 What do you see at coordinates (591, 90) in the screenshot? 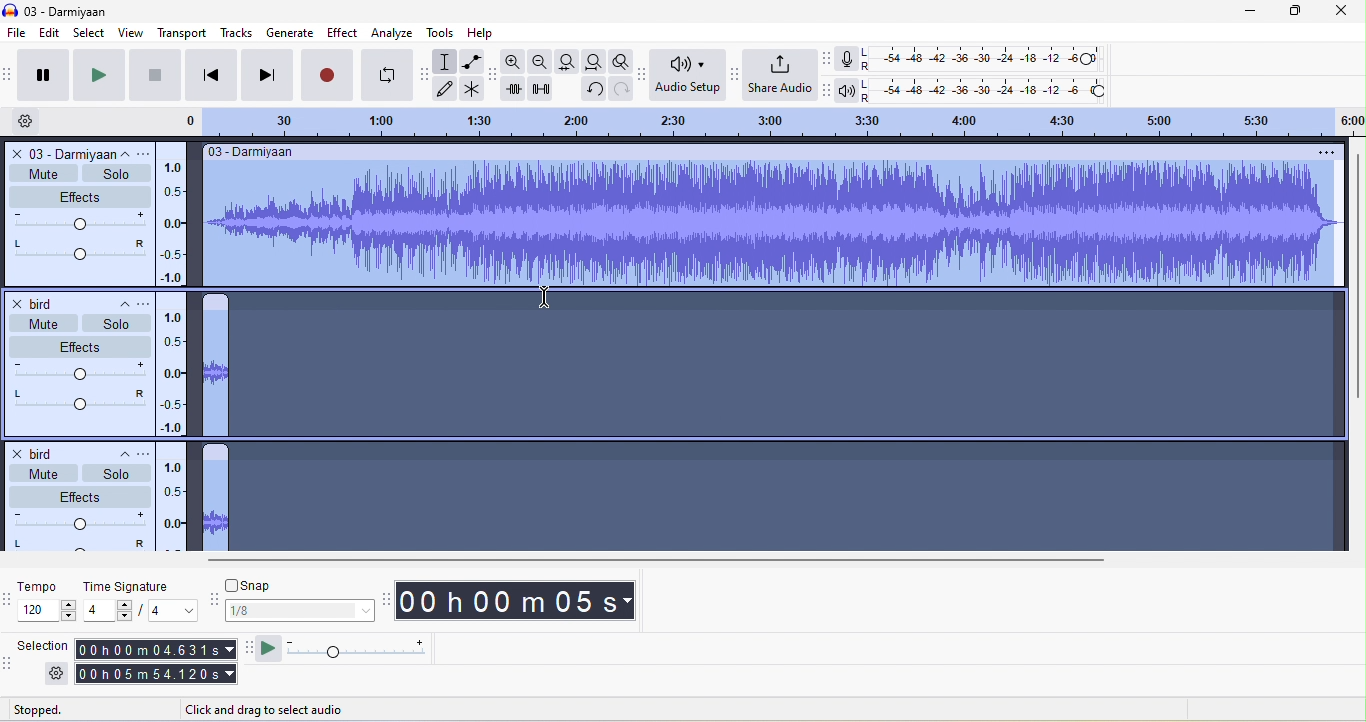
I see `undo` at bounding box center [591, 90].